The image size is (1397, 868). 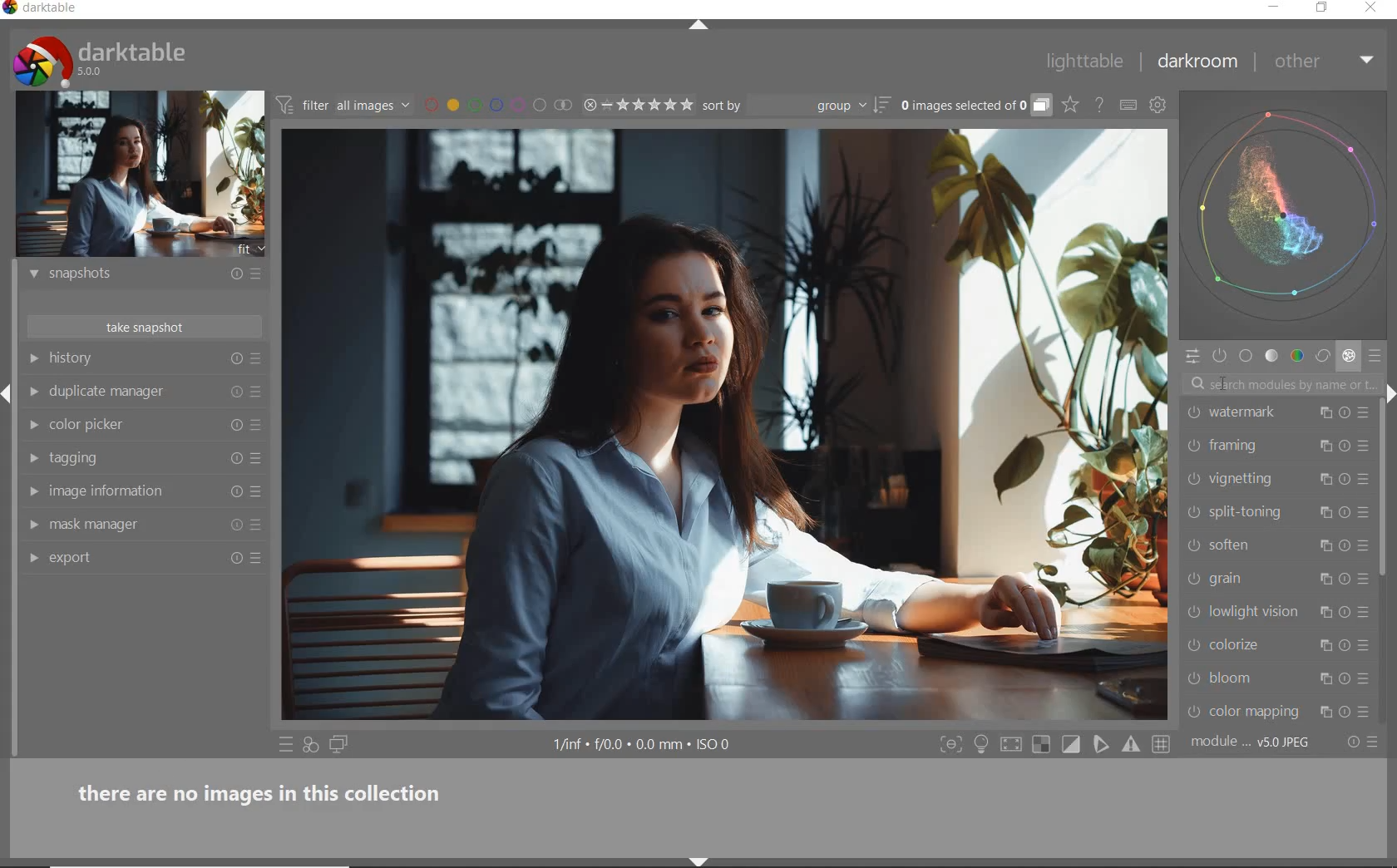 I want to click on shift+ctrl+b, so click(x=699, y=860).